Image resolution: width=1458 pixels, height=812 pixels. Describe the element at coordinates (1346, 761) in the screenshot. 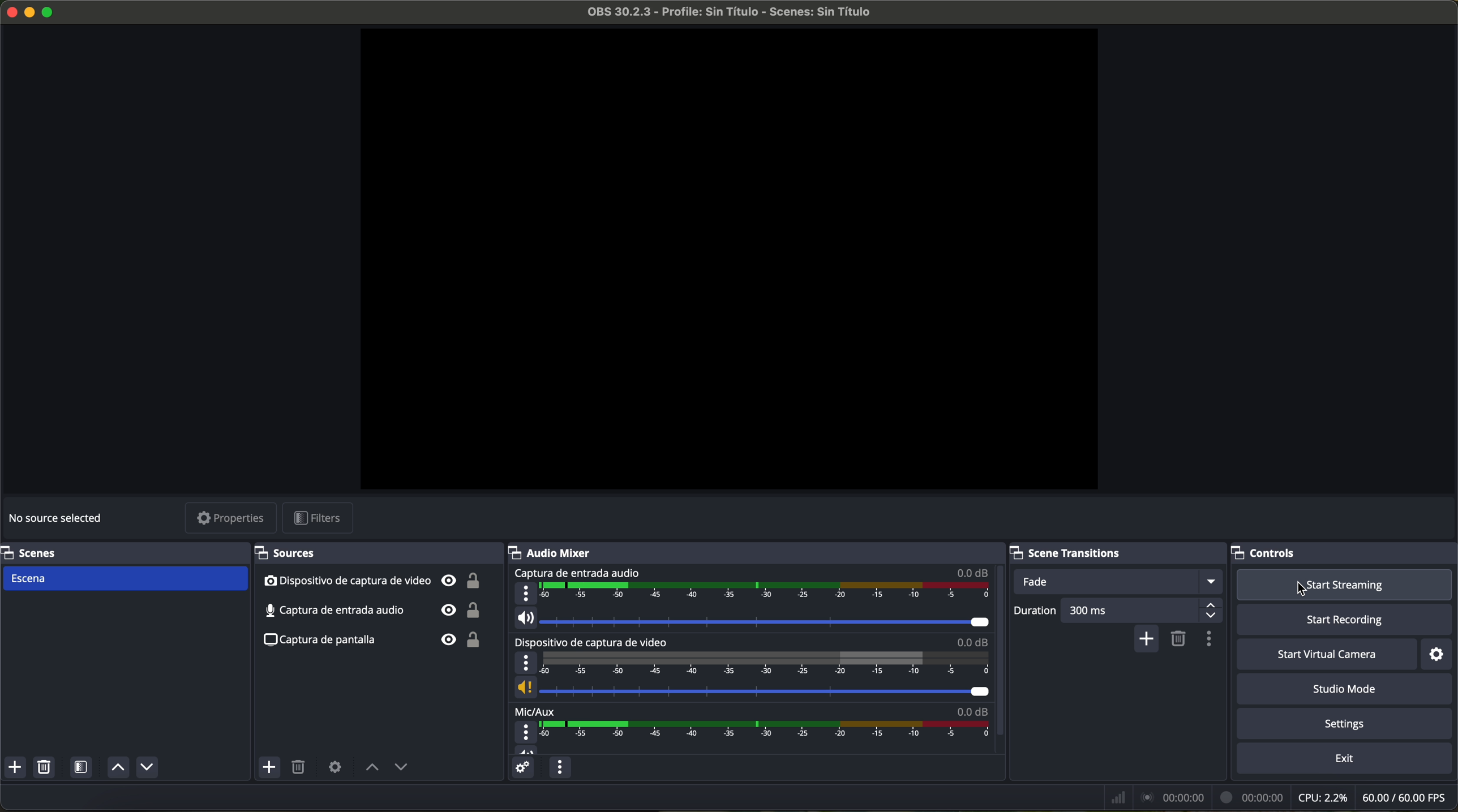

I see `exit` at that location.